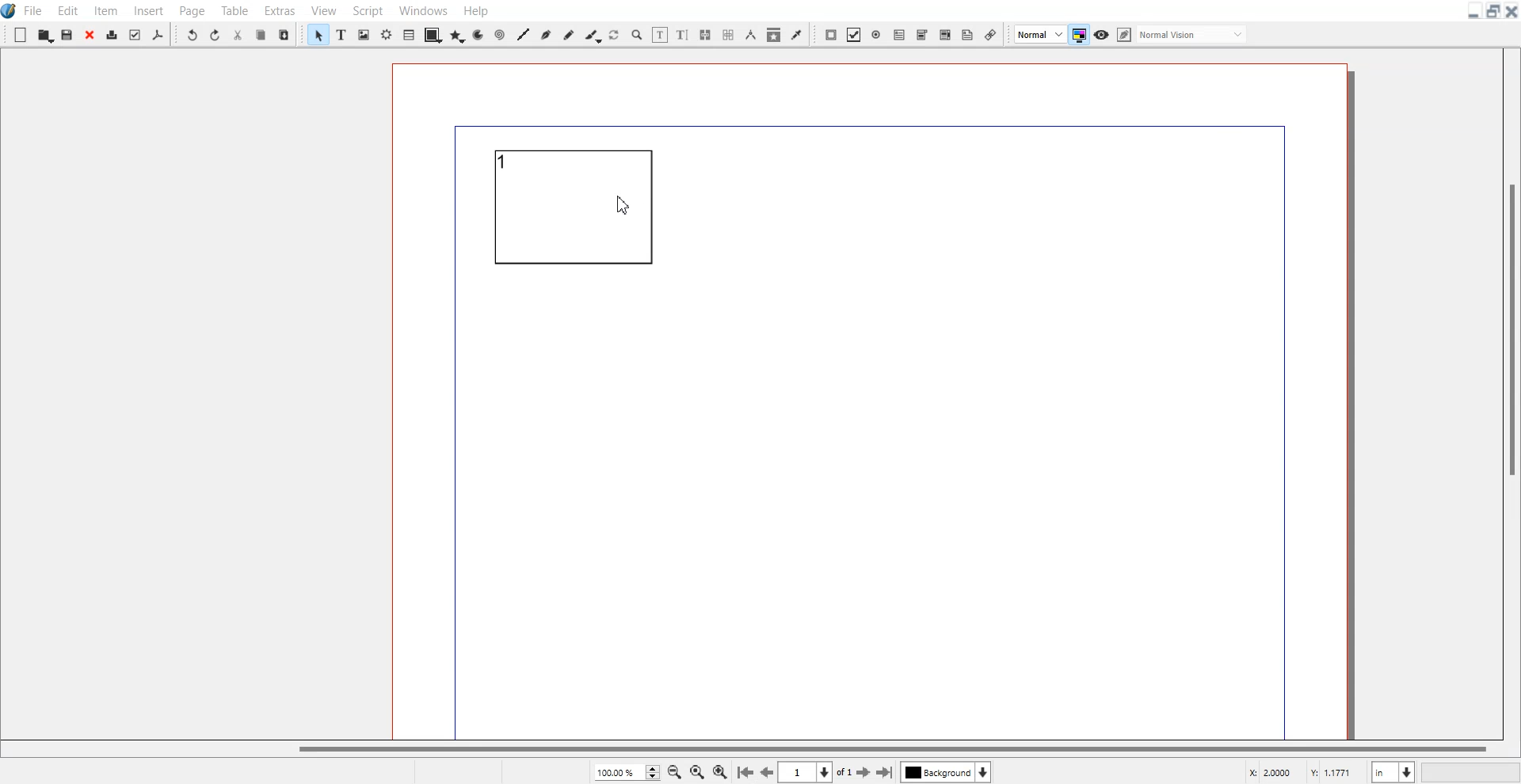 The width and height of the screenshot is (1521, 784). Describe the element at coordinates (366, 10) in the screenshot. I see `Script` at that location.